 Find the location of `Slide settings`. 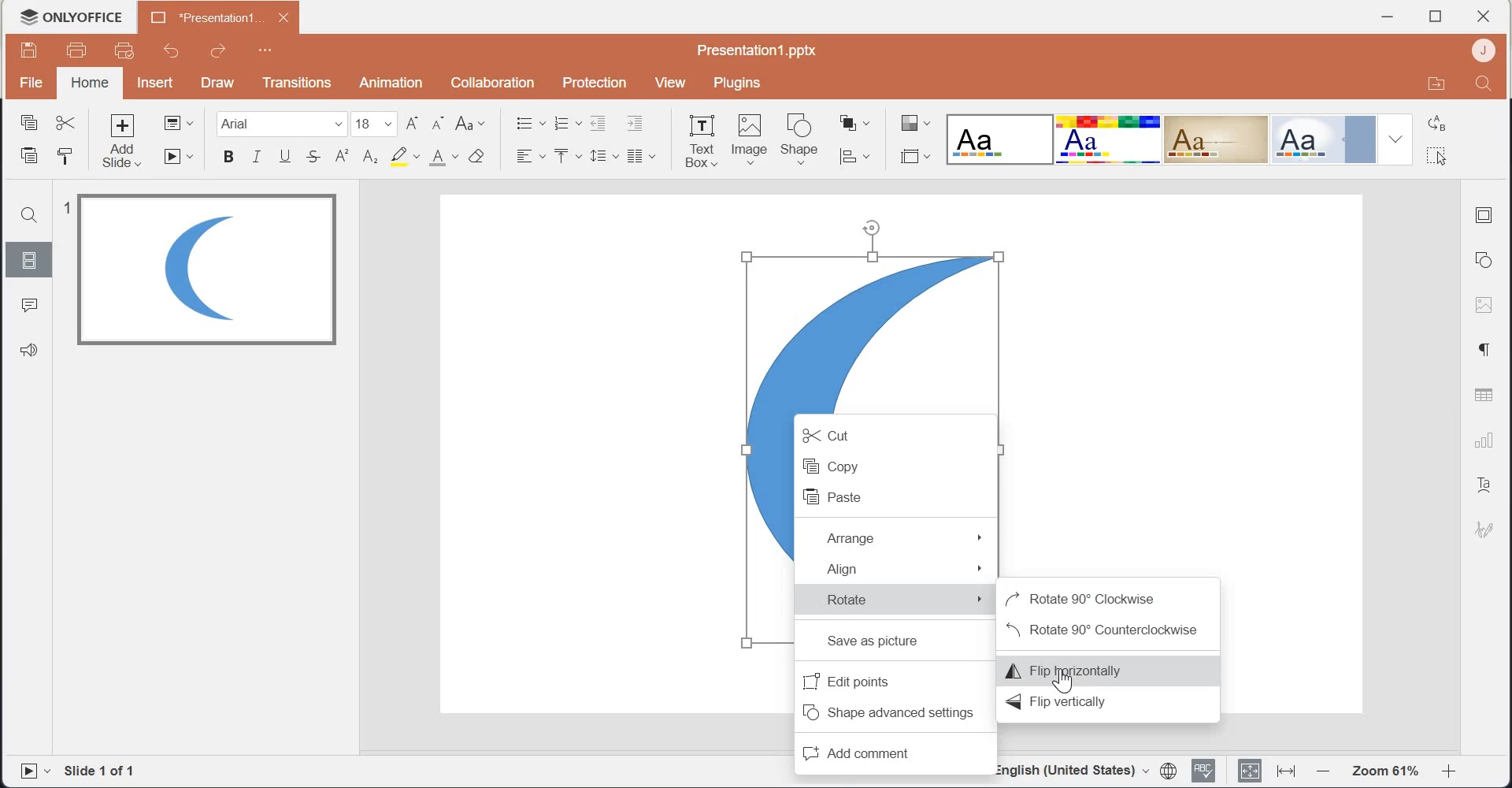

Slide settings is located at coordinates (1488, 214).